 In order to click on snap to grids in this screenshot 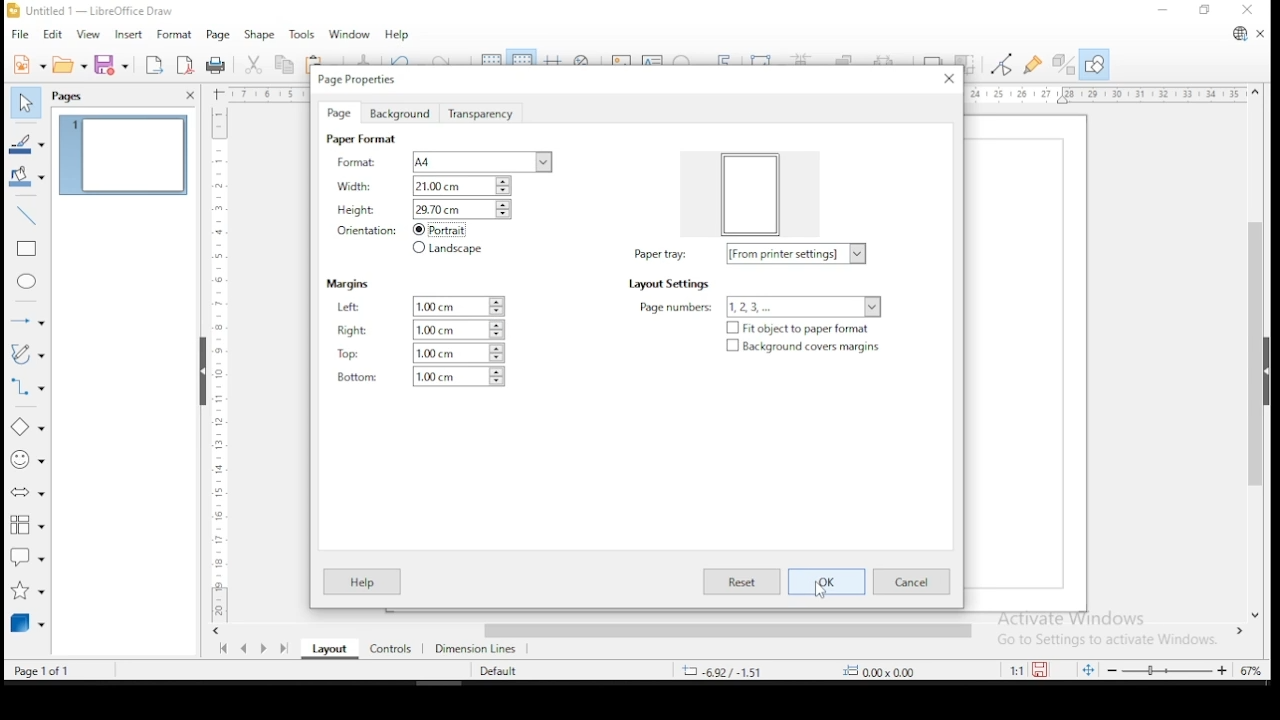, I will do `click(521, 59)`.